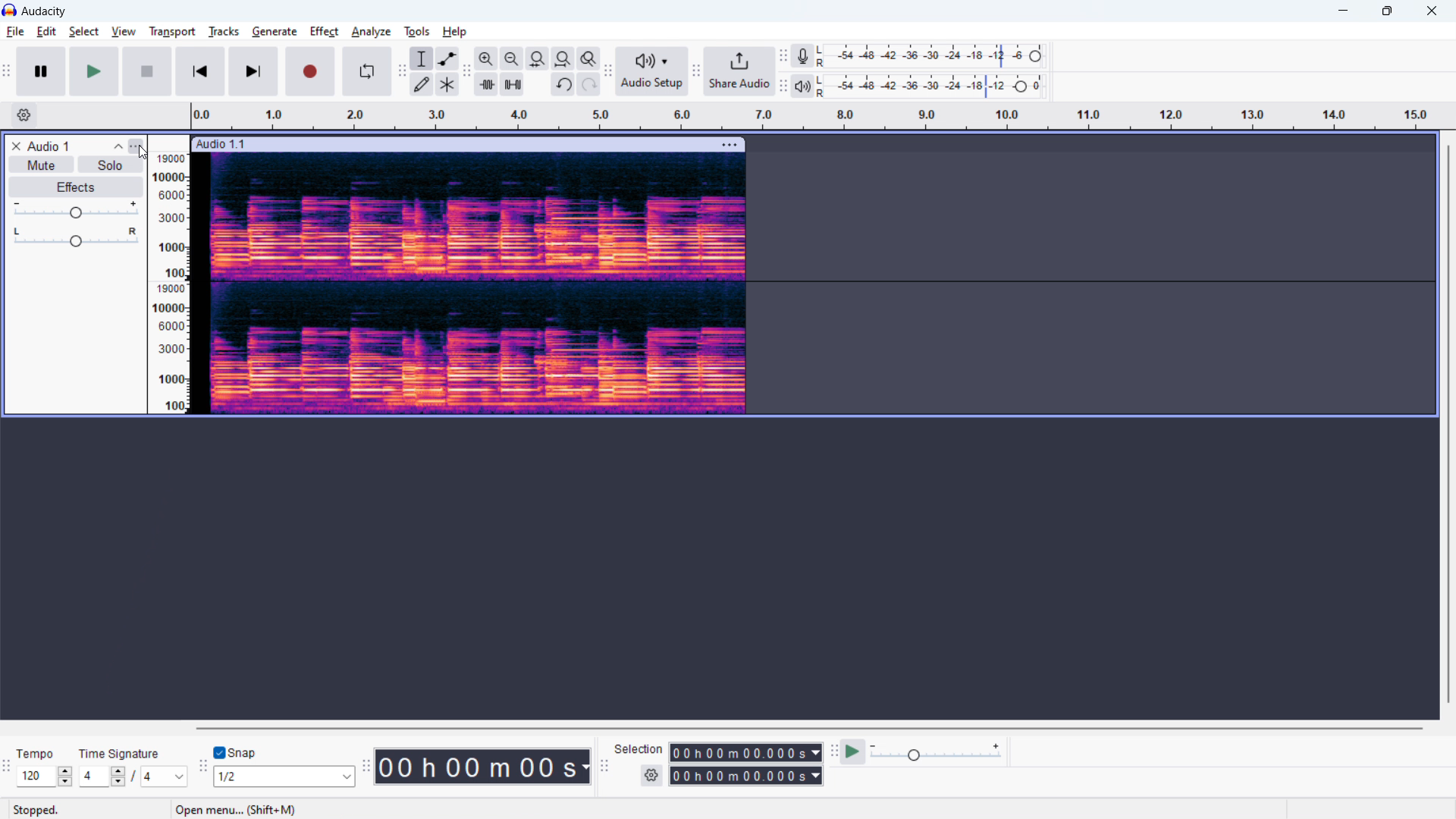 This screenshot has height=819, width=1456. Describe the element at coordinates (813, 115) in the screenshot. I see `timeline` at that location.